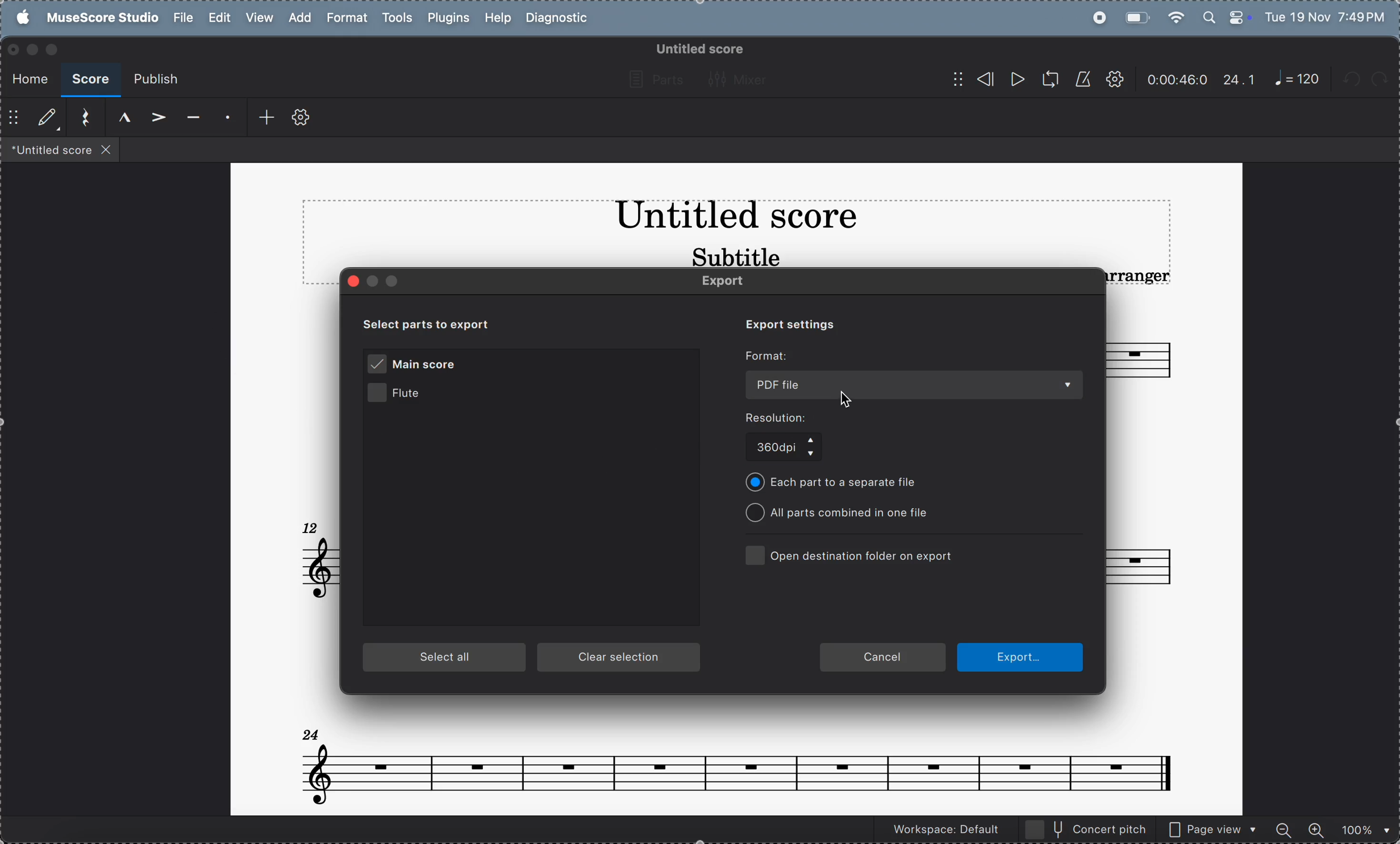 The height and width of the screenshot is (844, 1400). Describe the element at coordinates (90, 80) in the screenshot. I see `score` at that location.